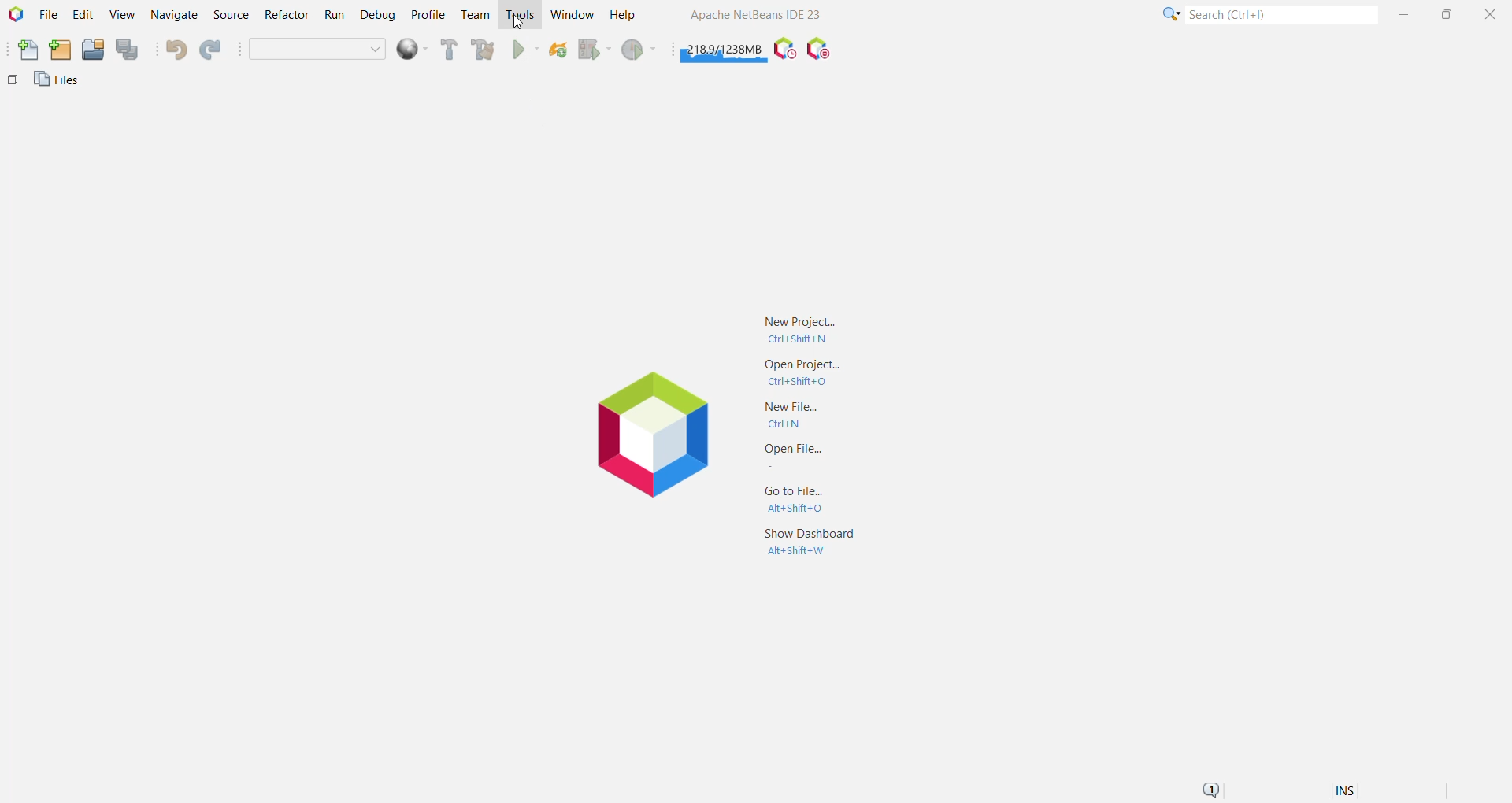 The width and height of the screenshot is (1512, 803). I want to click on Close, so click(1492, 13).